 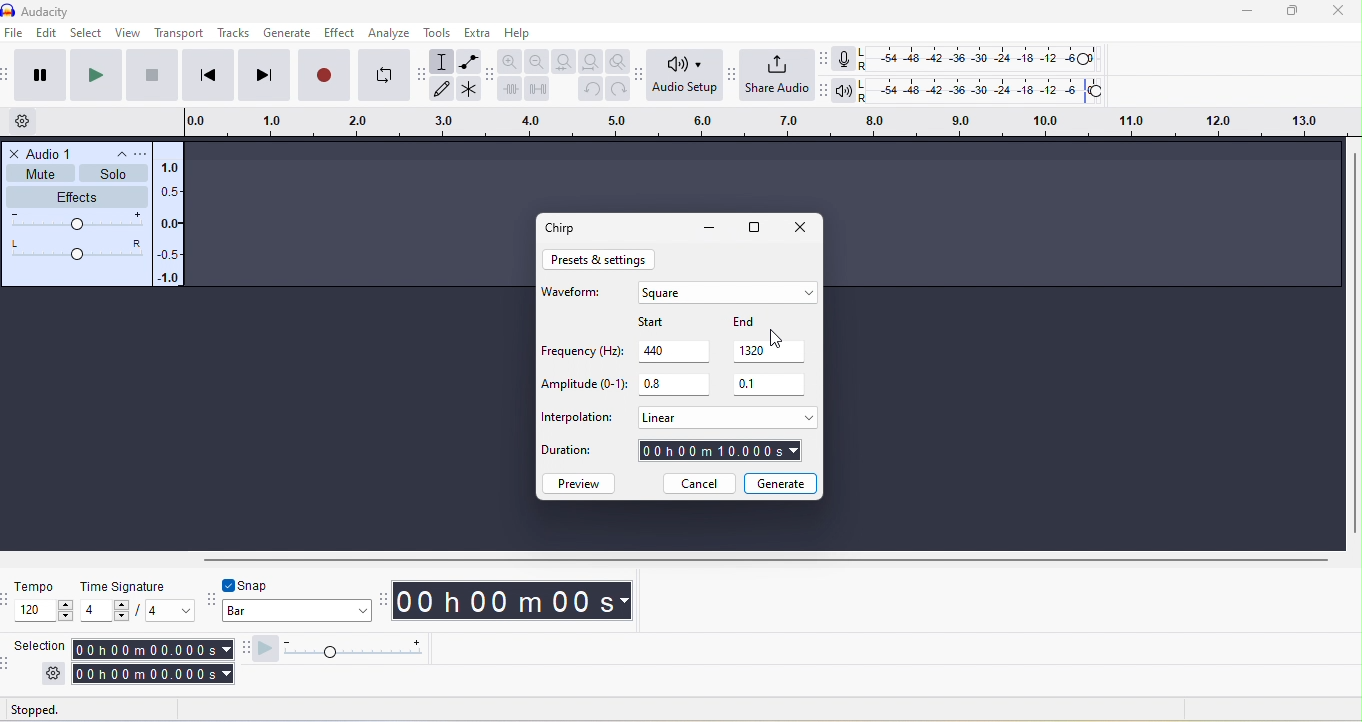 I want to click on preview, so click(x=581, y=483).